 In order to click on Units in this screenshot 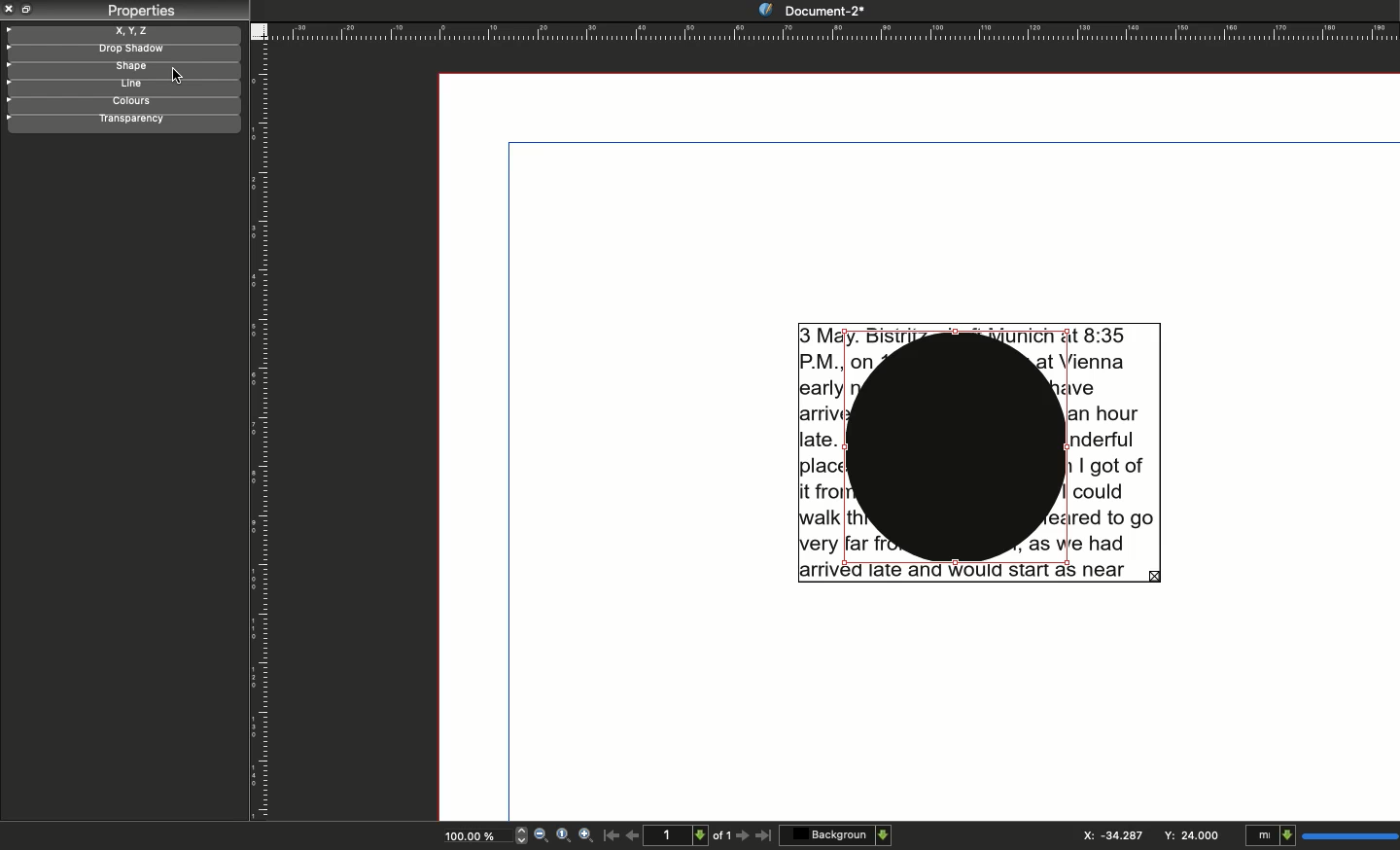, I will do `click(1322, 833)`.